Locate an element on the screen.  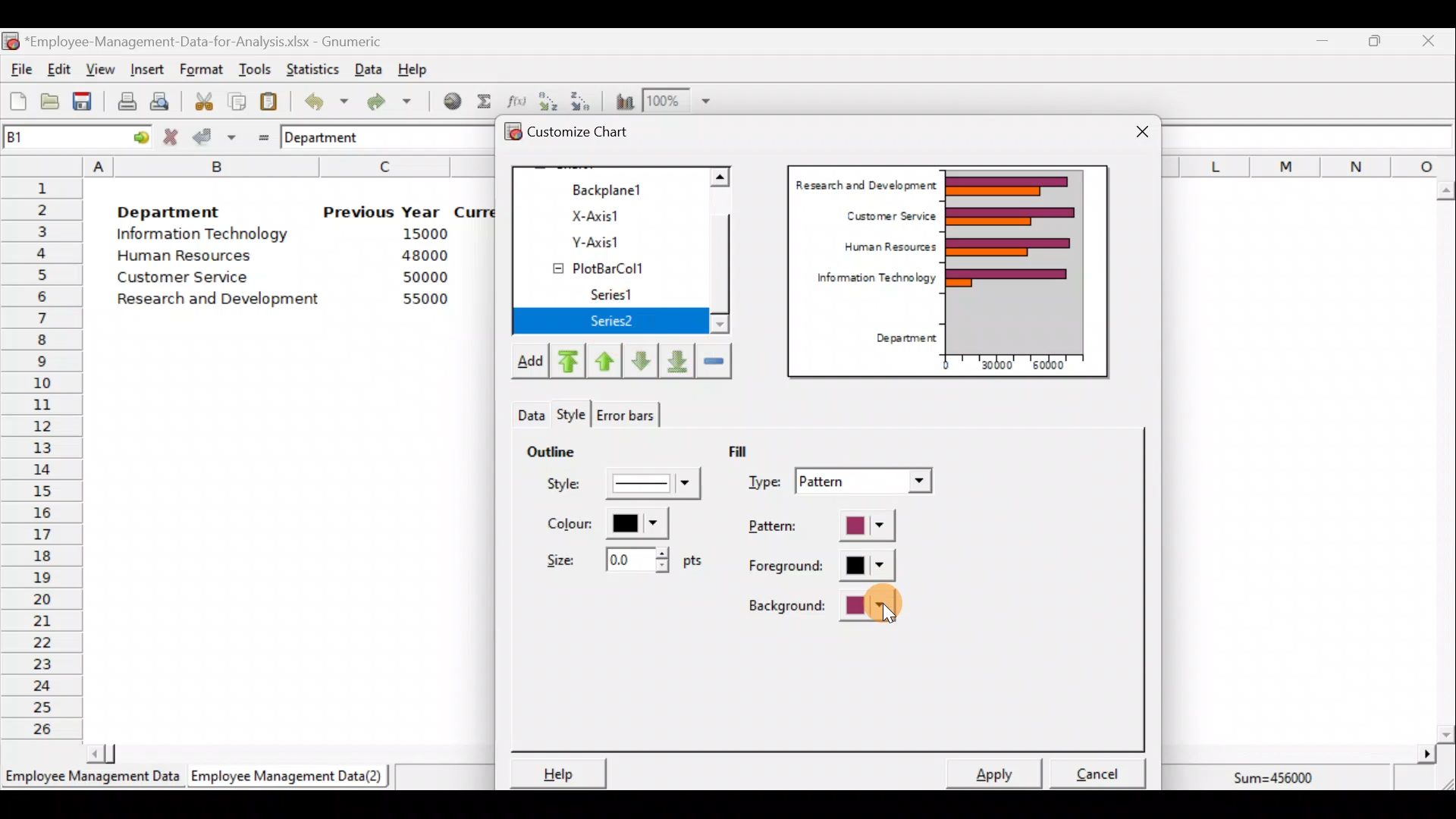
go to is located at coordinates (135, 135).